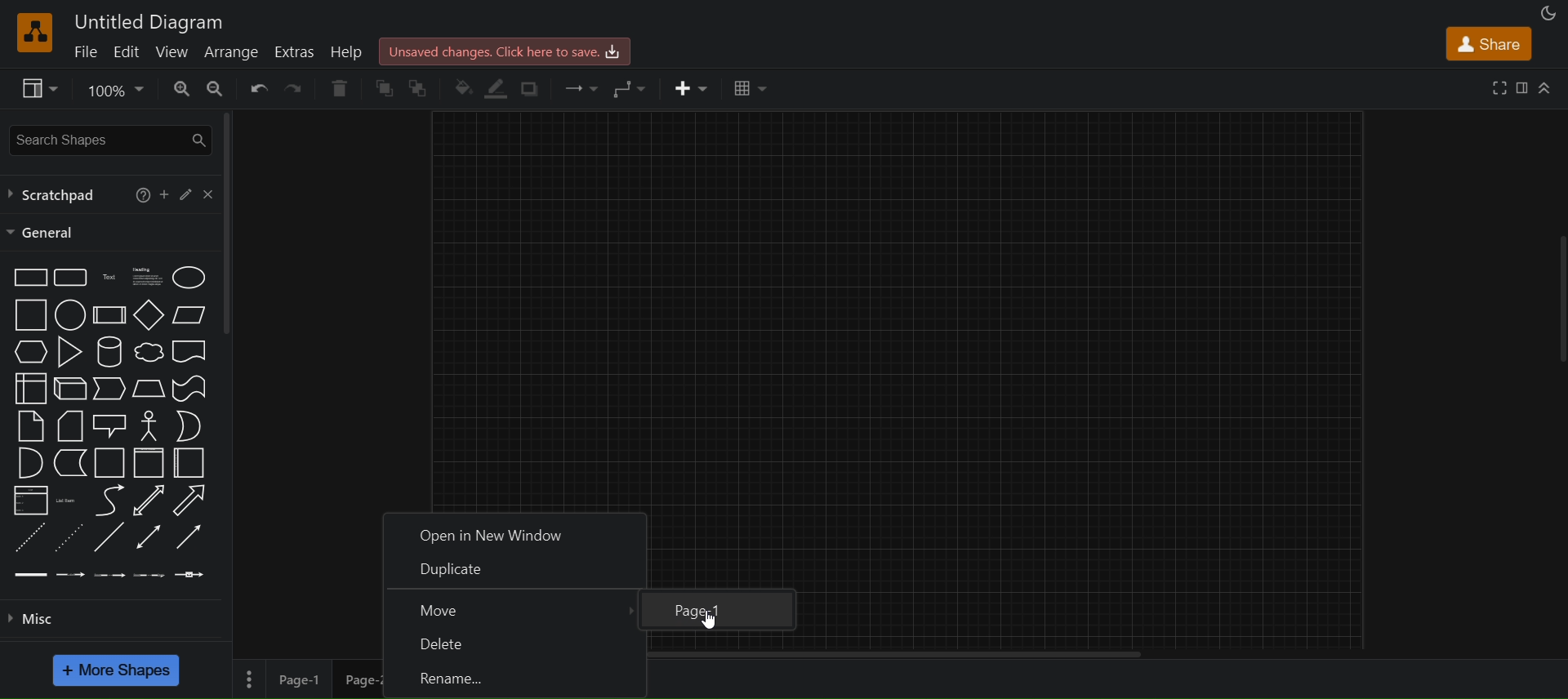 The height and width of the screenshot is (699, 1568). Describe the element at coordinates (191, 574) in the screenshot. I see `connector with symbol` at that location.